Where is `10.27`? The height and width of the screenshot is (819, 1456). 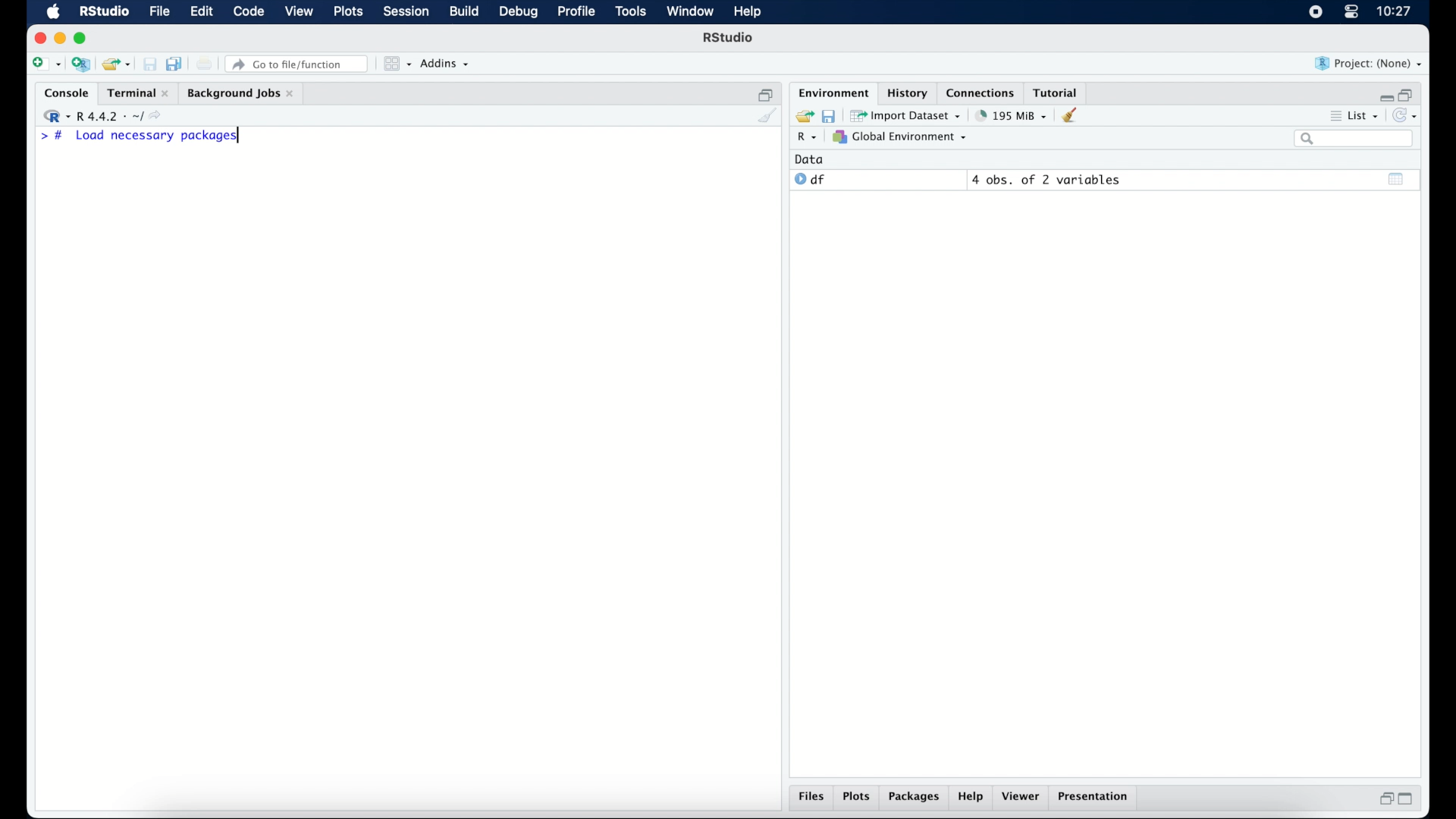
10.27 is located at coordinates (1394, 11).